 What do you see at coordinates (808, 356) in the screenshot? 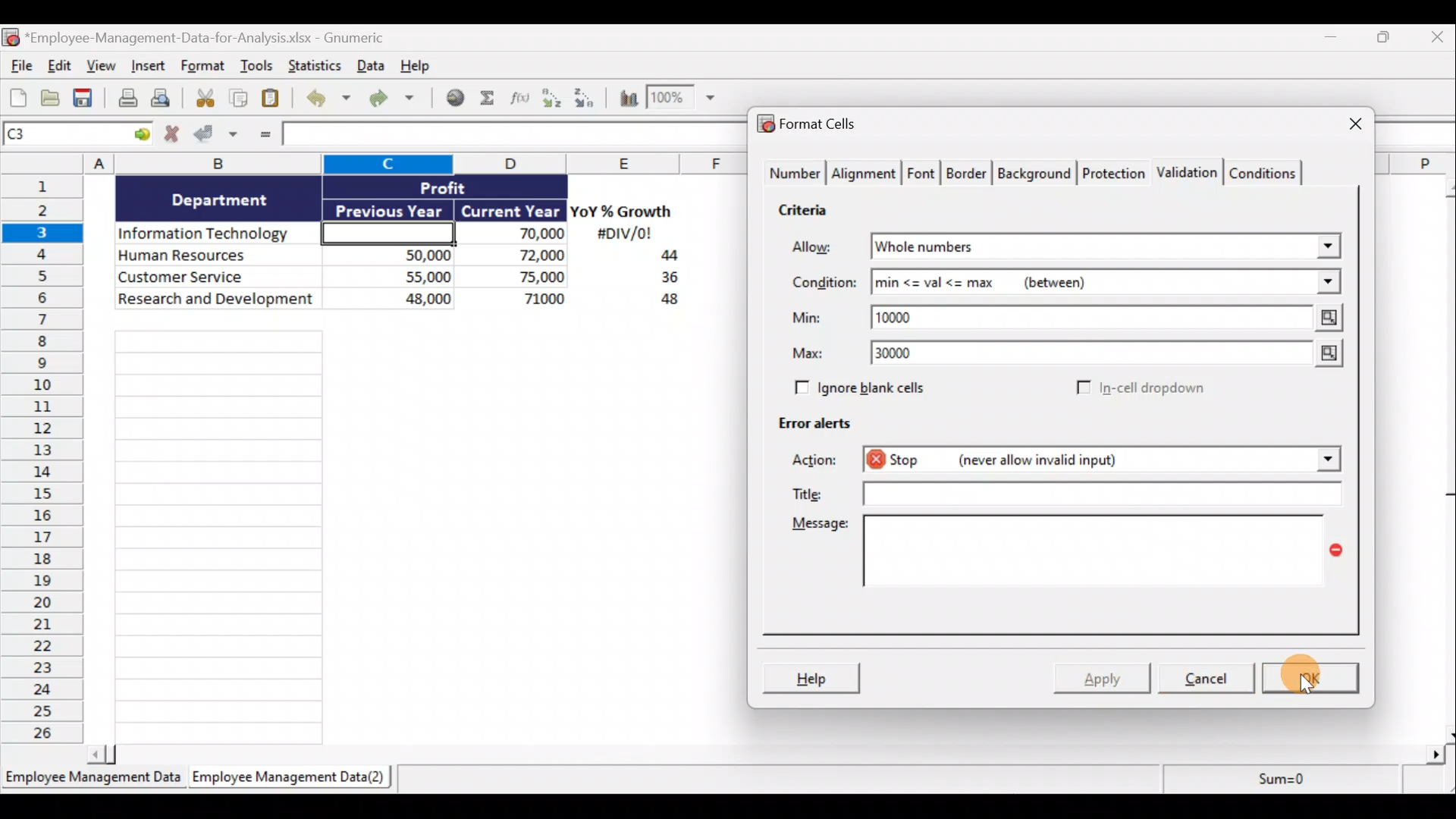
I see `Max:` at bounding box center [808, 356].